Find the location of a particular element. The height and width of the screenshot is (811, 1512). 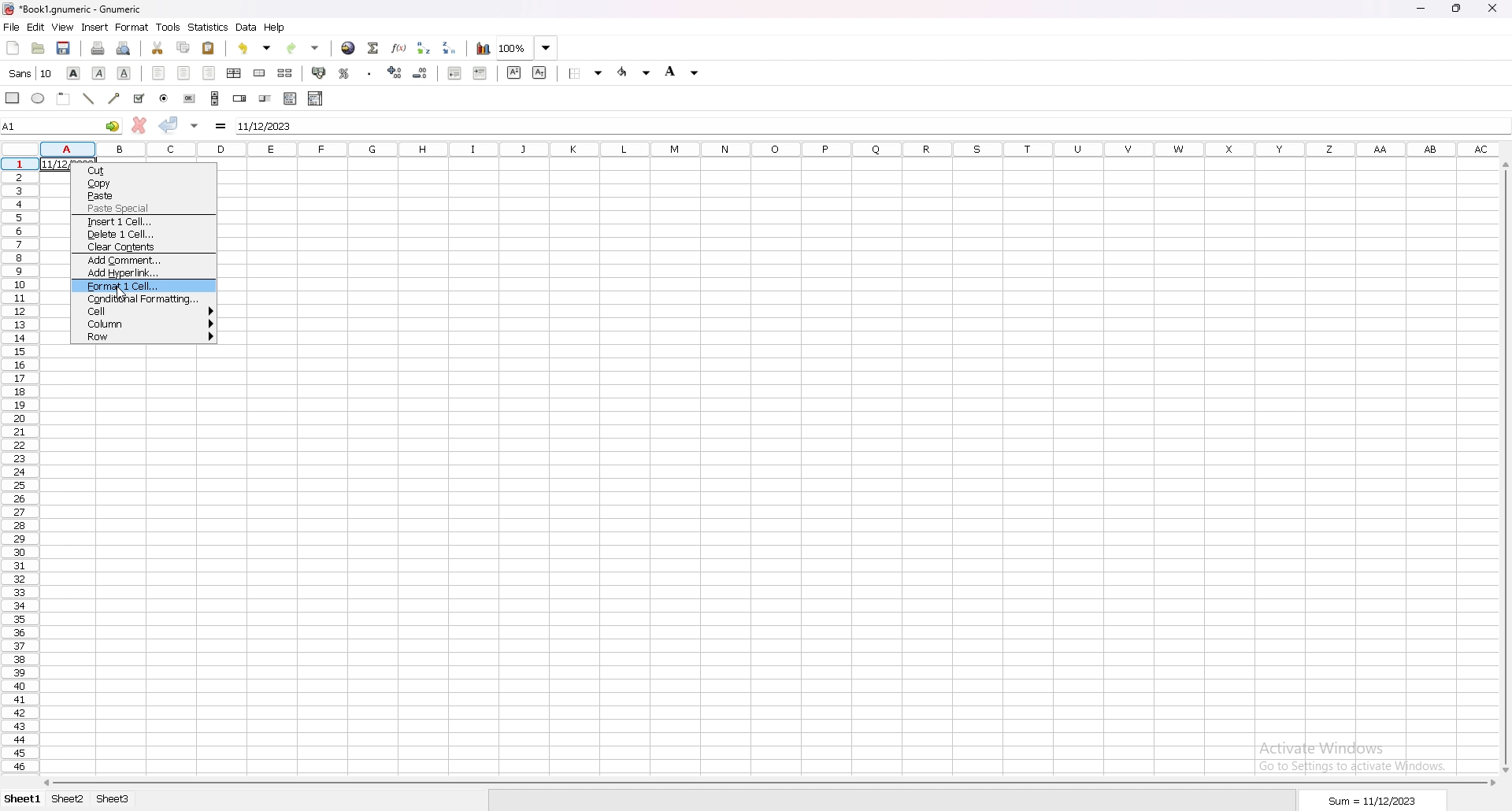

cell is located at coordinates (144, 311).